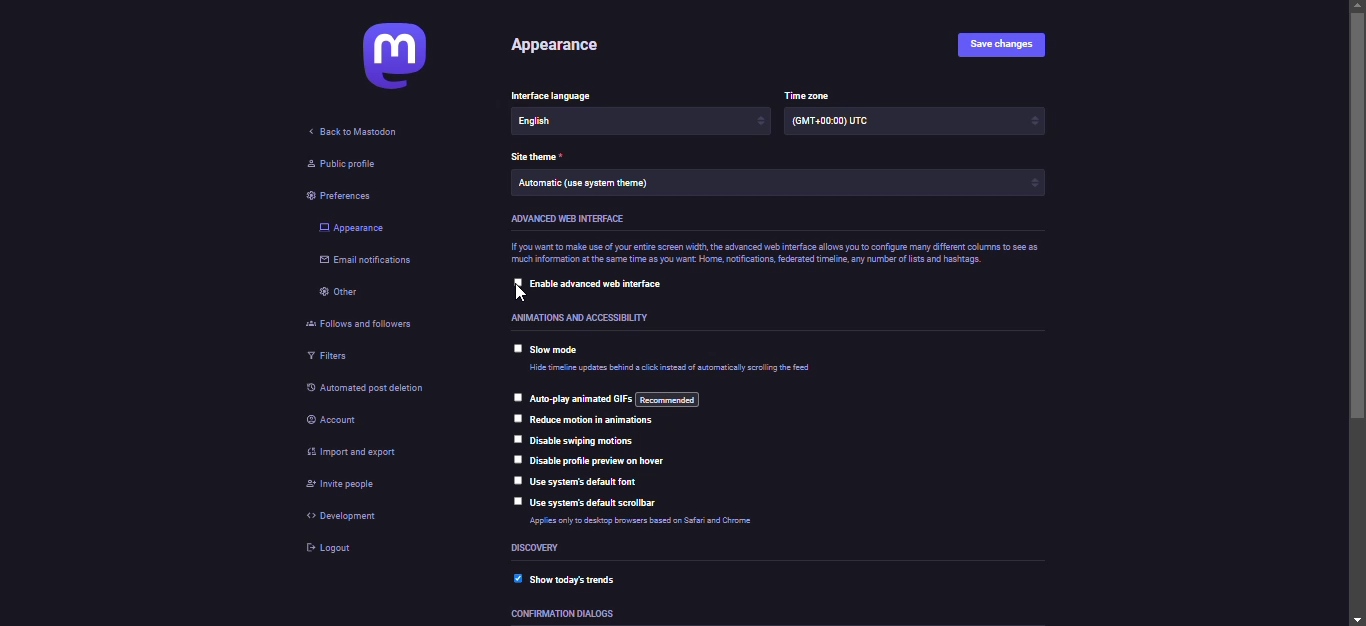  What do you see at coordinates (515, 418) in the screenshot?
I see `click to select` at bounding box center [515, 418].